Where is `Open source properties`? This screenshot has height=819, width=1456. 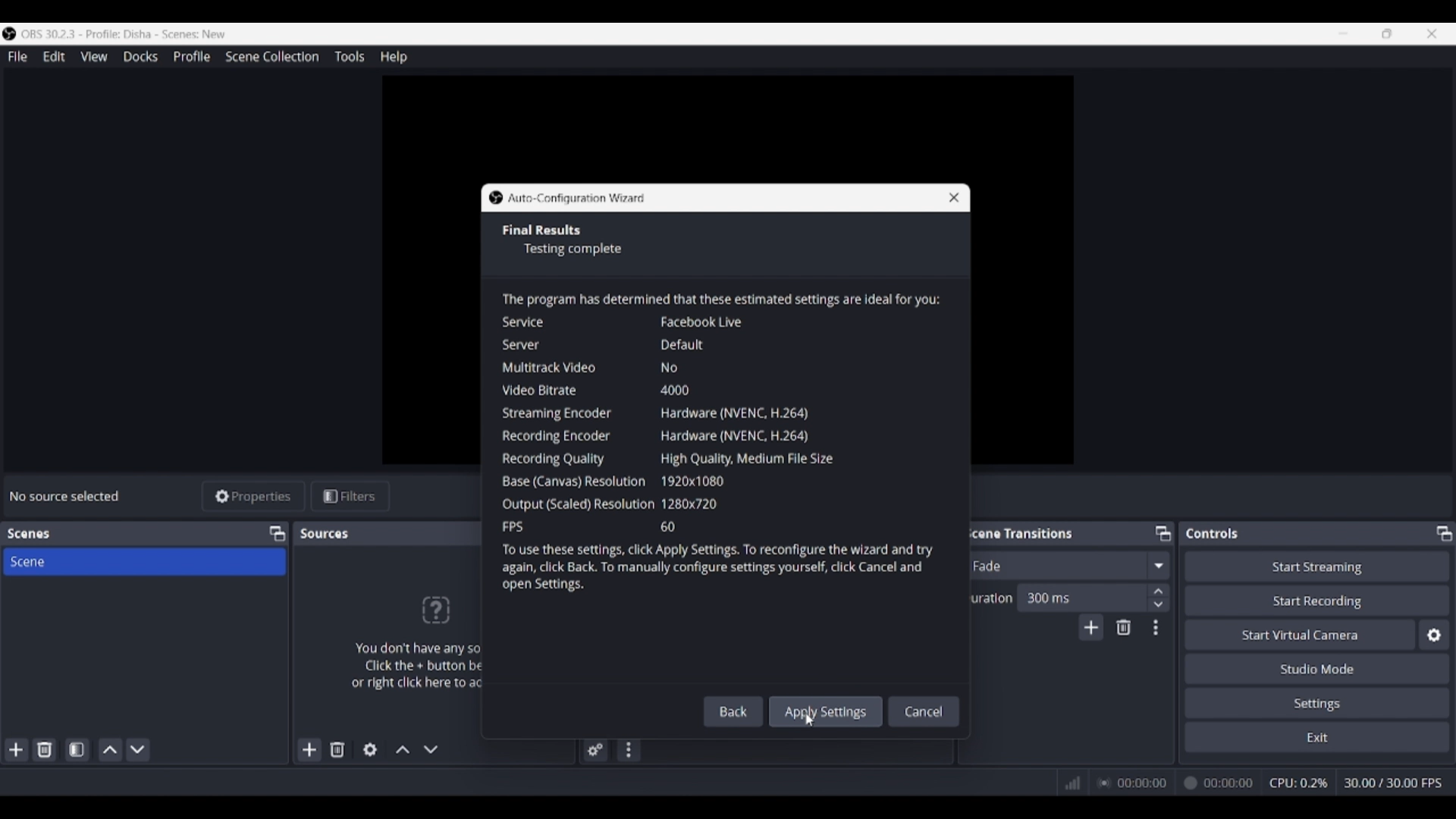 Open source properties is located at coordinates (370, 750).